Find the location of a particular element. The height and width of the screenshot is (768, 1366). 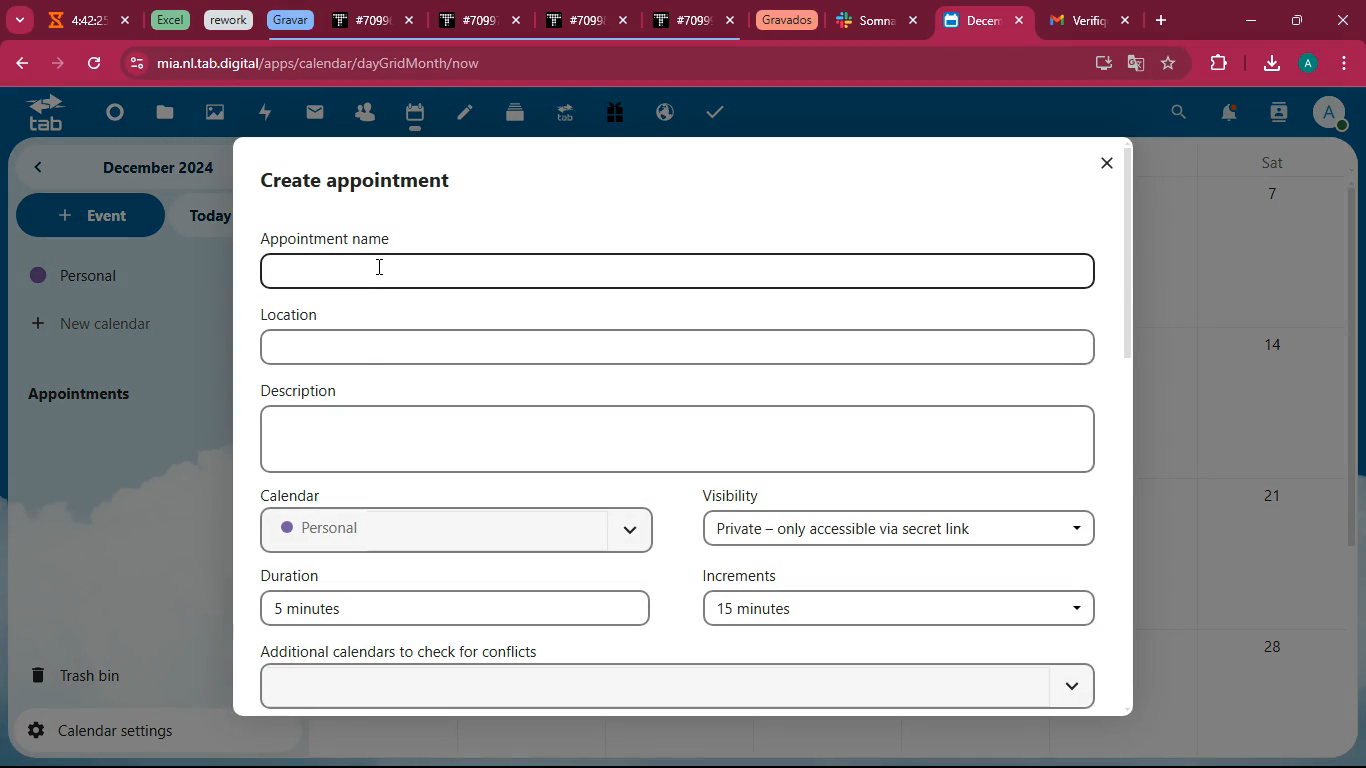

add tab is located at coordinates (1165, 21).